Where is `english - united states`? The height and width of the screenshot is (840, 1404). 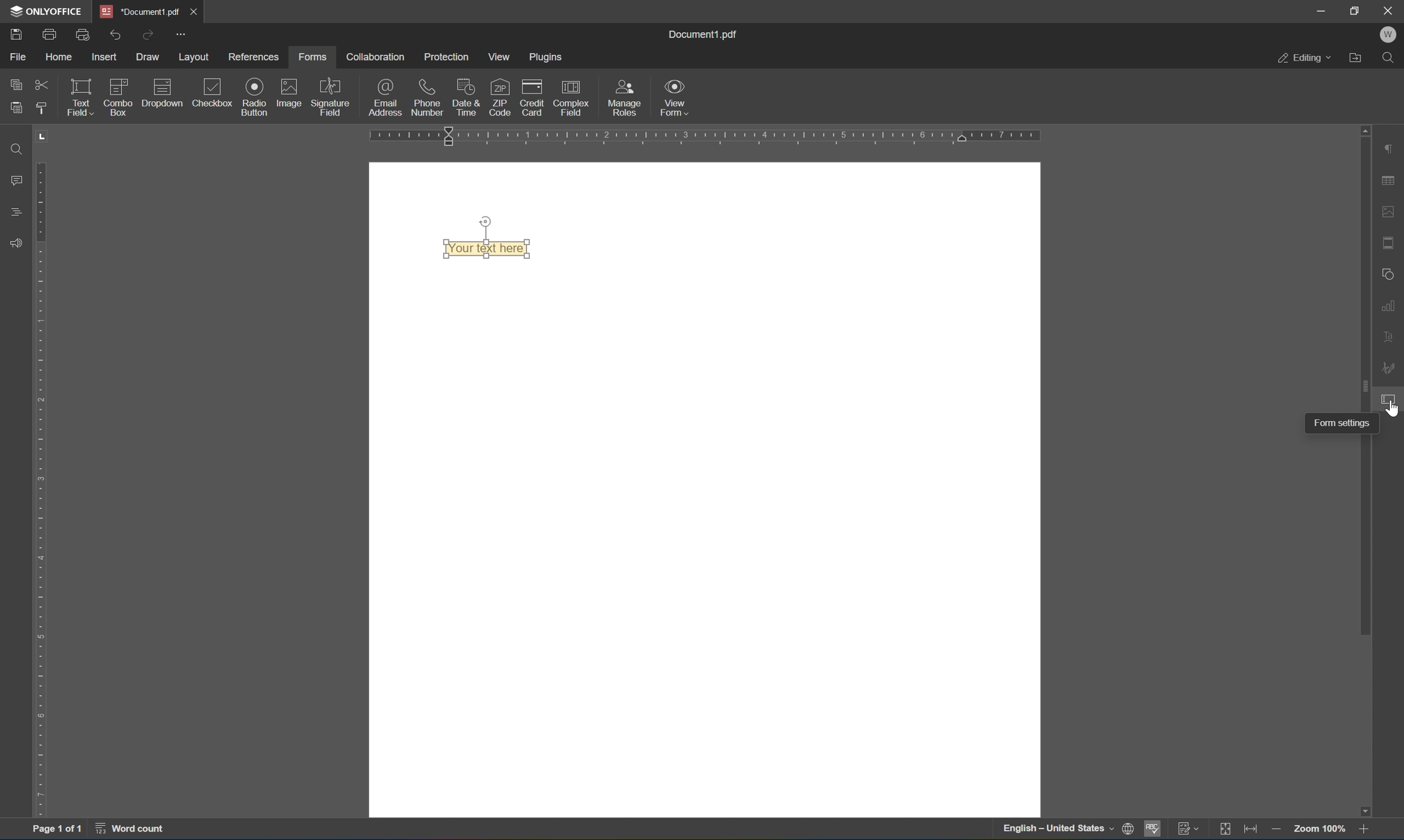 english - united states is located at coordinates (1055, 829).